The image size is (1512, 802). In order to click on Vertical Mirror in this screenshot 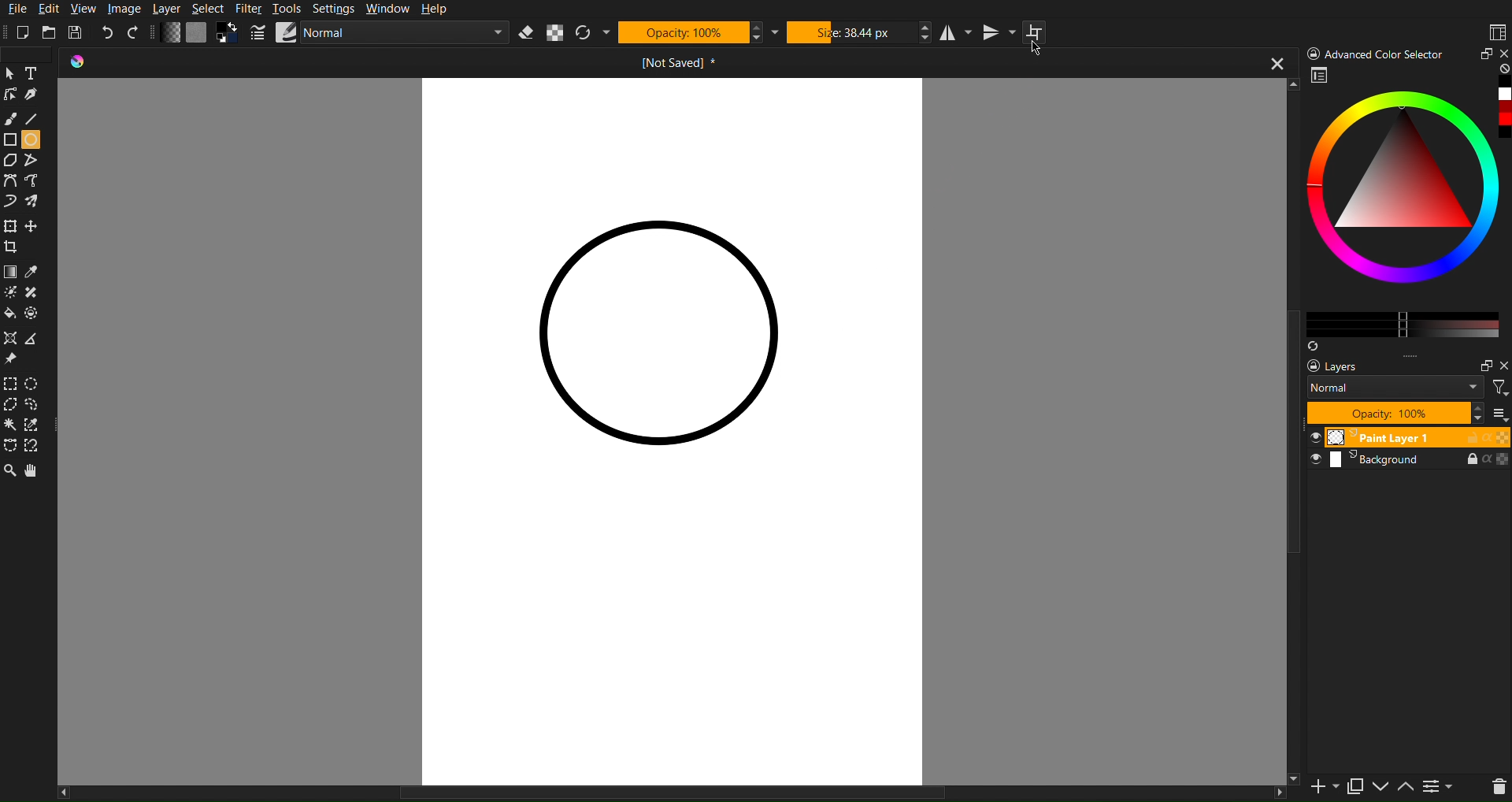, I will do `click(998, 32)`.